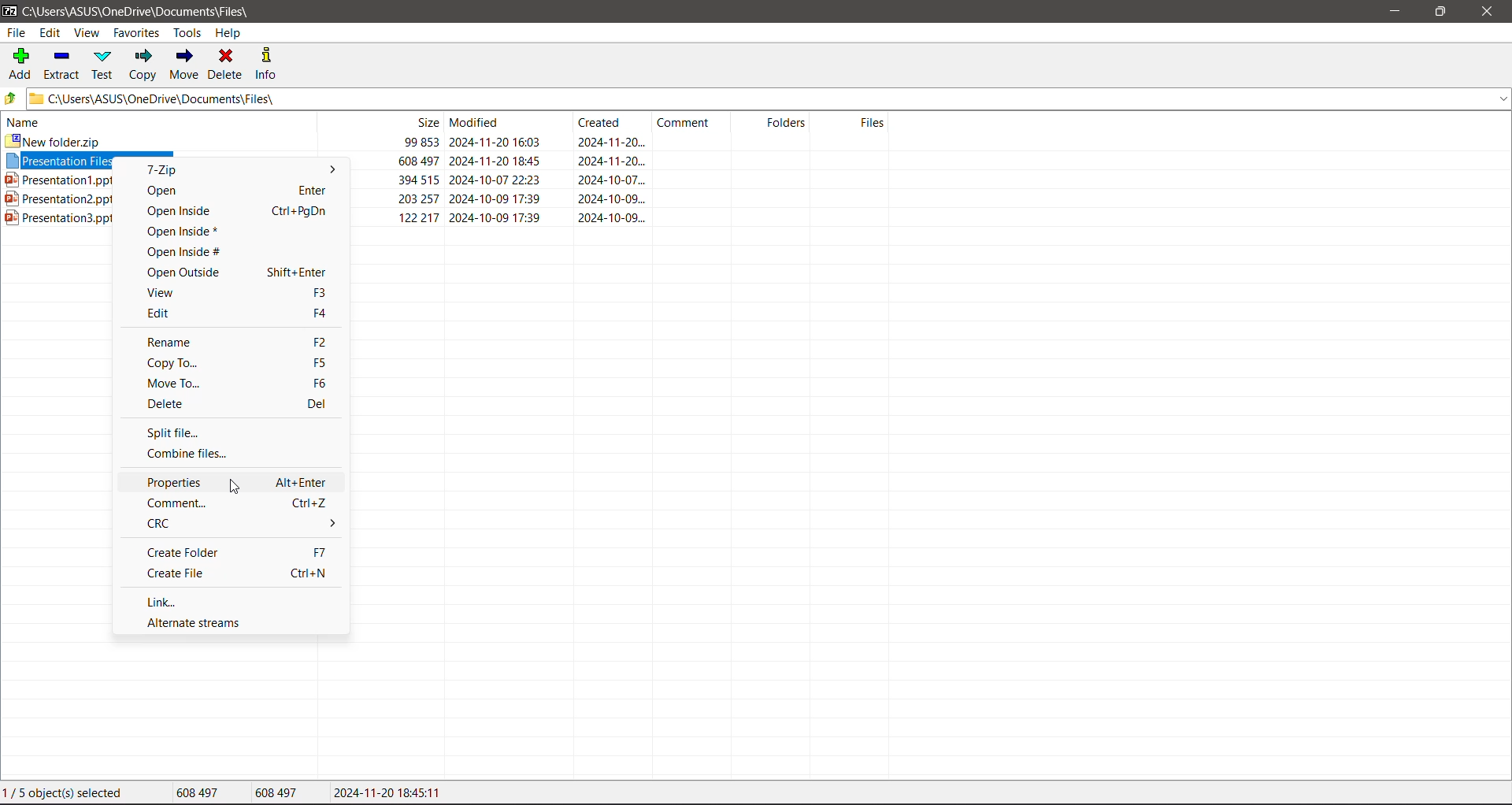 This screenshot has height=805, width=1512. Describe the element at coordinates (234, 503) in the screenshot. I see `Comment` at that location.